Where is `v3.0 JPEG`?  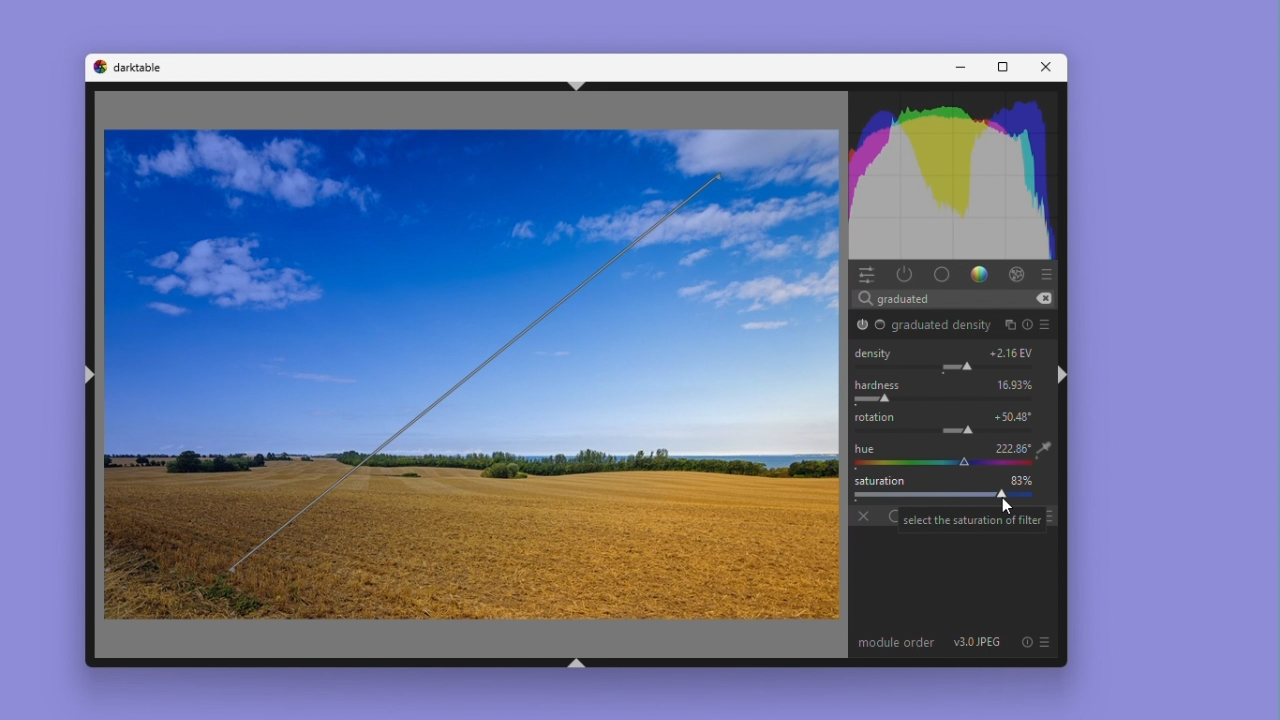 v3.0 JPEG is located at coordinates (979, 643).